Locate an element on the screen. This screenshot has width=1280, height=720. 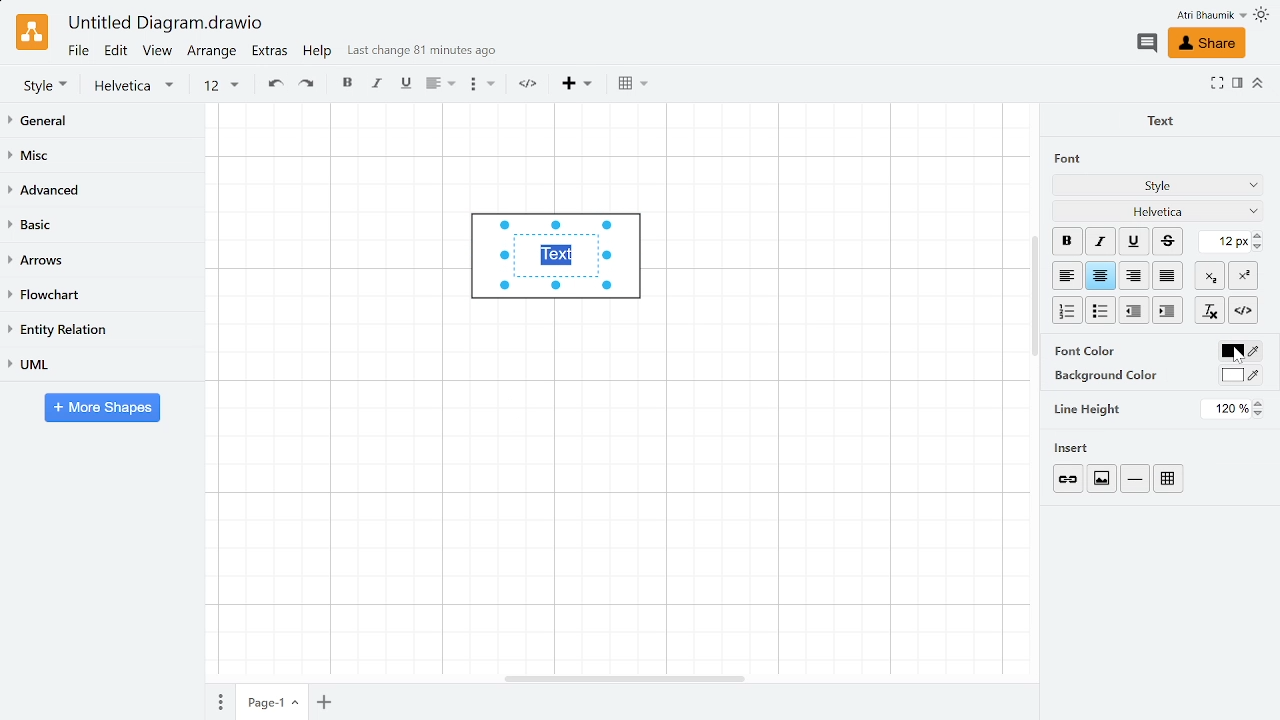
Font style is located at coordinates (1159, 187).